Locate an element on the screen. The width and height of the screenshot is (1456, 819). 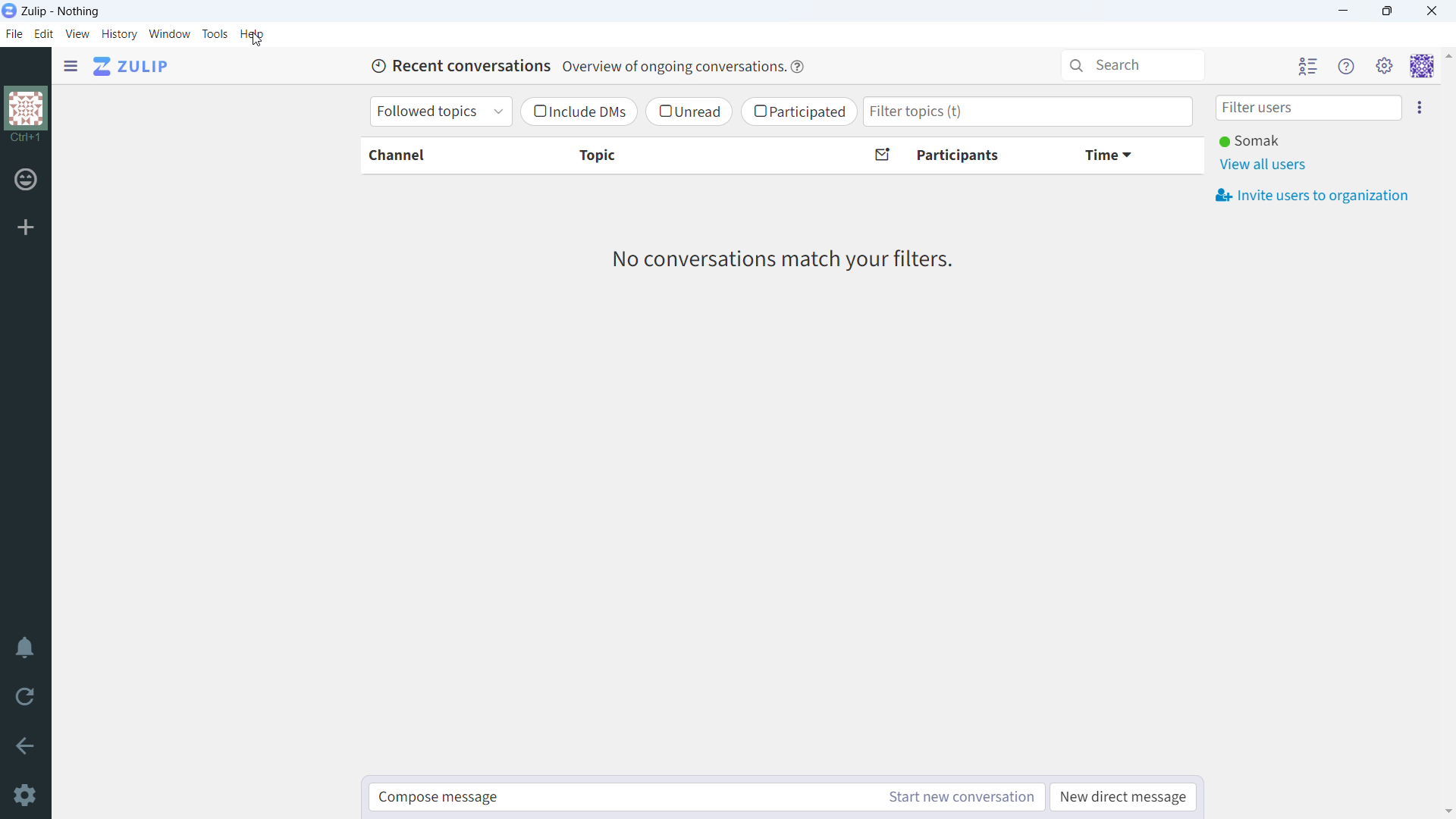
Pointer is located at coordinates (262, 42).